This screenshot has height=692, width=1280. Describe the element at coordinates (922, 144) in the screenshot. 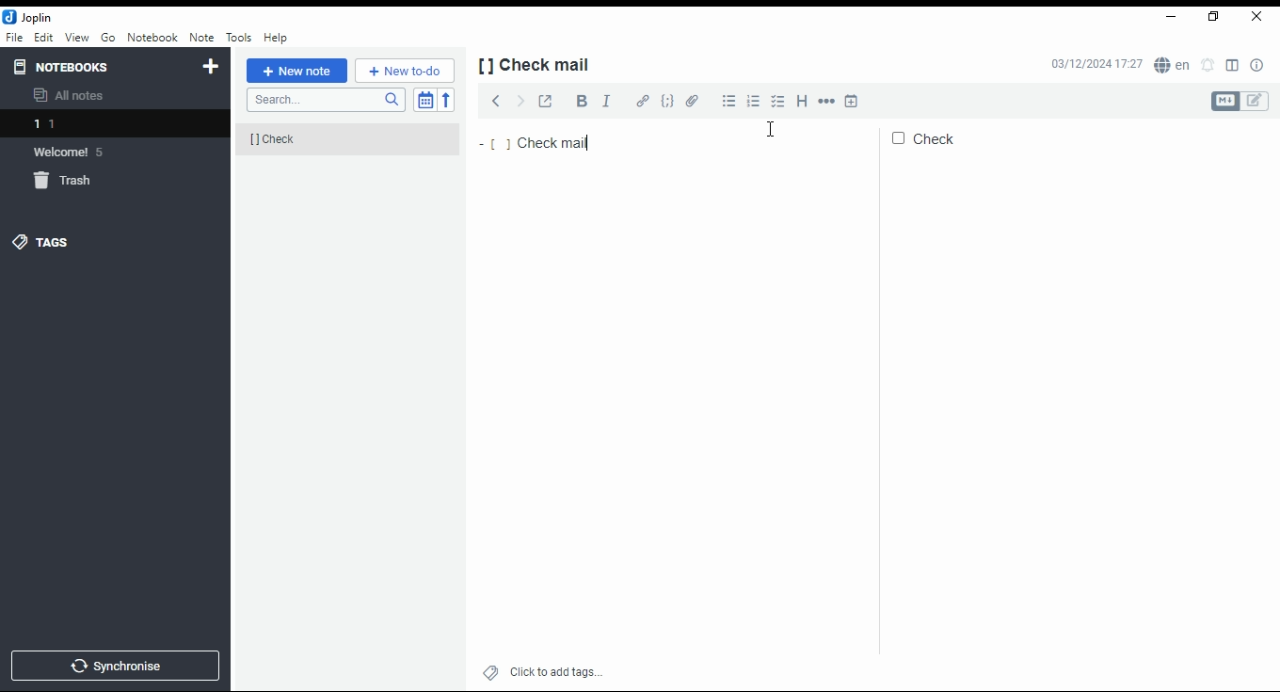

I see `check ` at that location.